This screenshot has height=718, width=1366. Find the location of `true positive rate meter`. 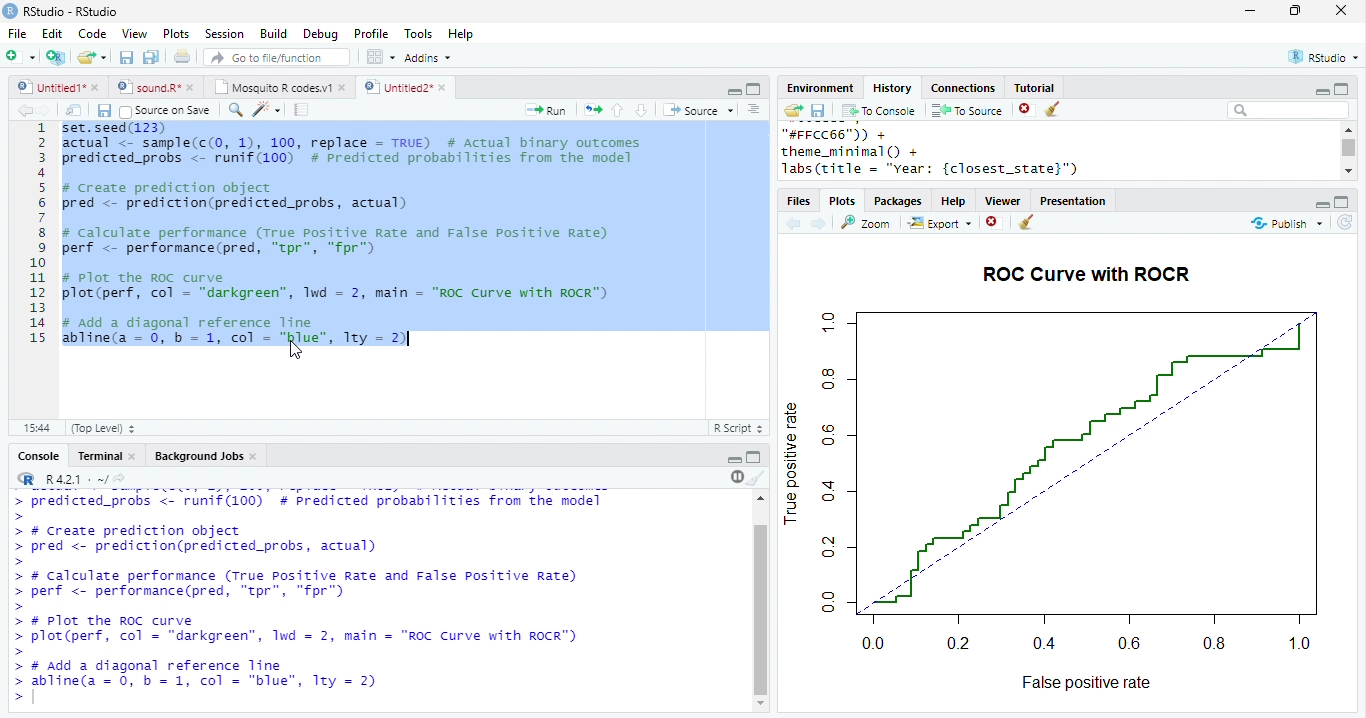

true positive rate meter is located at coordinates (834, 461).